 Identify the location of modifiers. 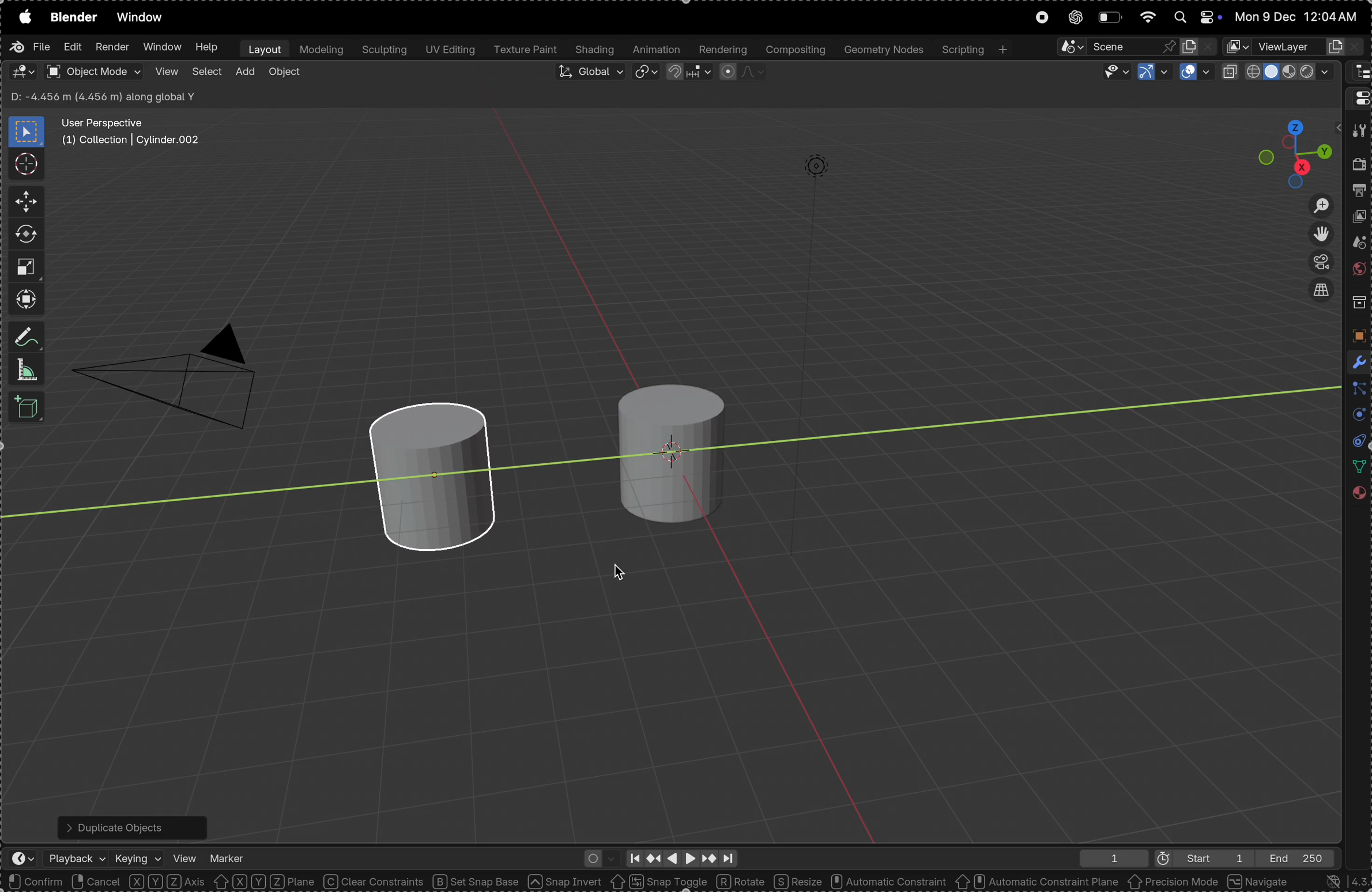
(1356, 361).